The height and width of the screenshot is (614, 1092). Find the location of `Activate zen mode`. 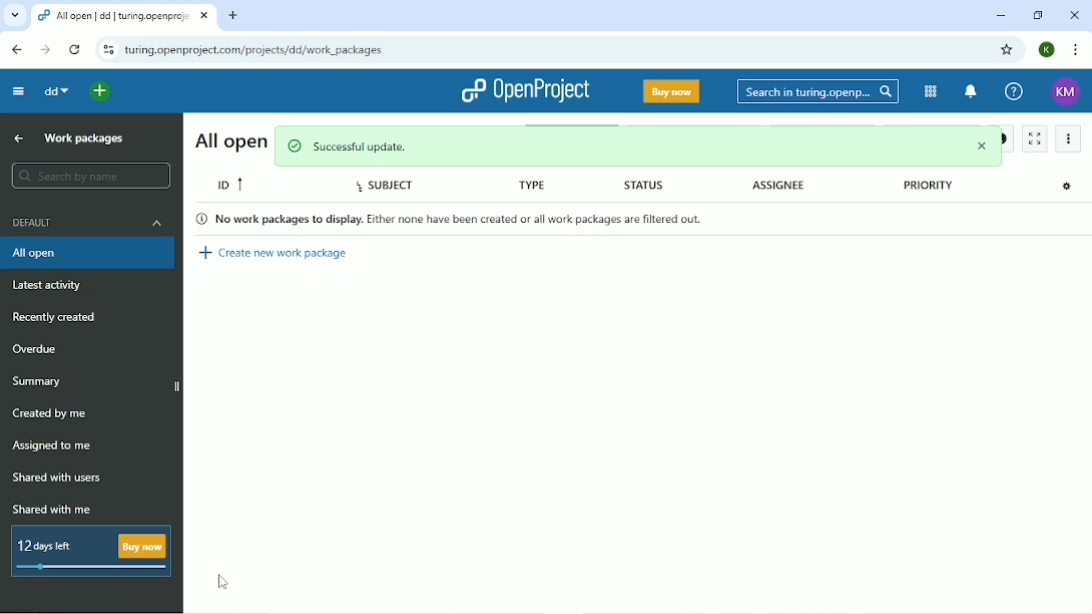

Activate zen mode is located at coordinates (1037, 138).